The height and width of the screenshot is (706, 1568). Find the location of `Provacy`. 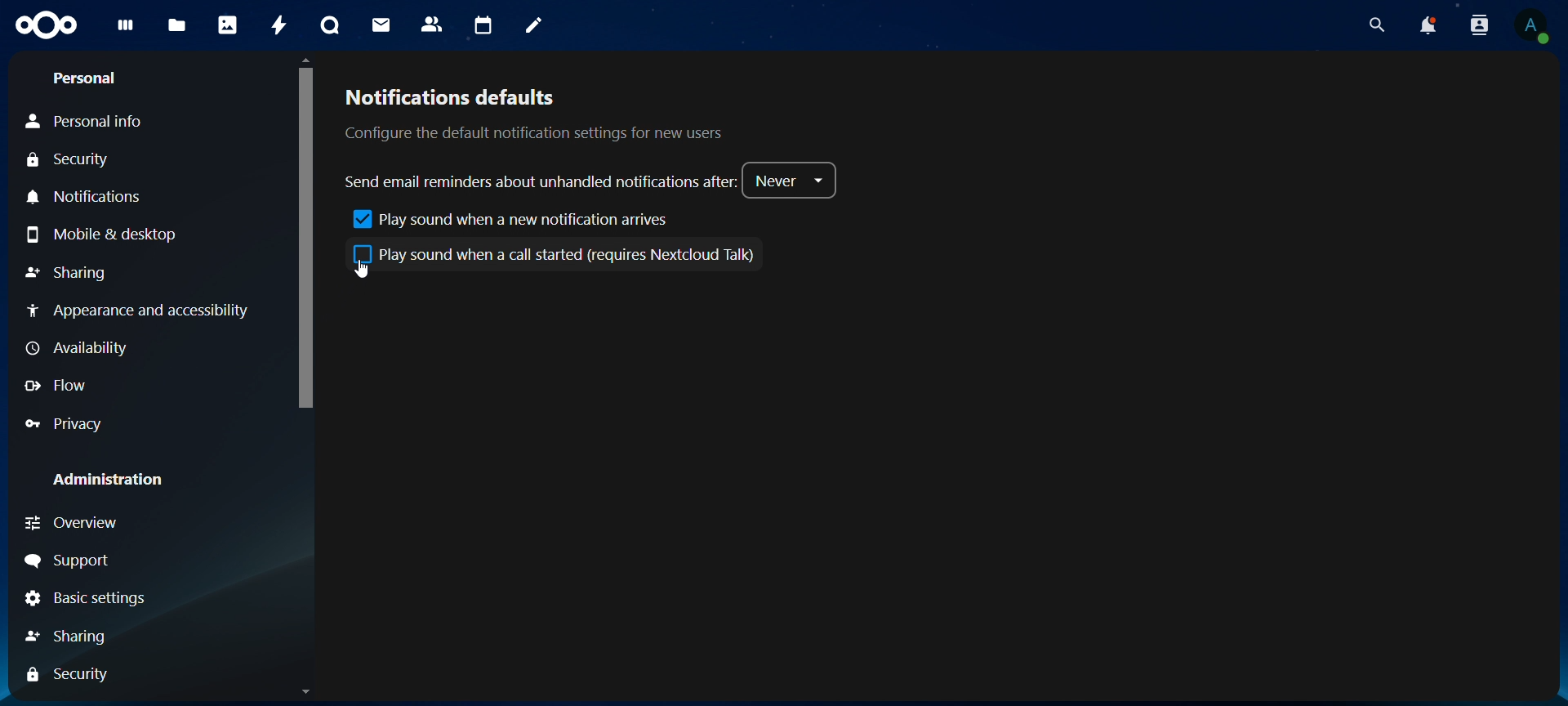

Provacy is located at coordinates (63, 426).